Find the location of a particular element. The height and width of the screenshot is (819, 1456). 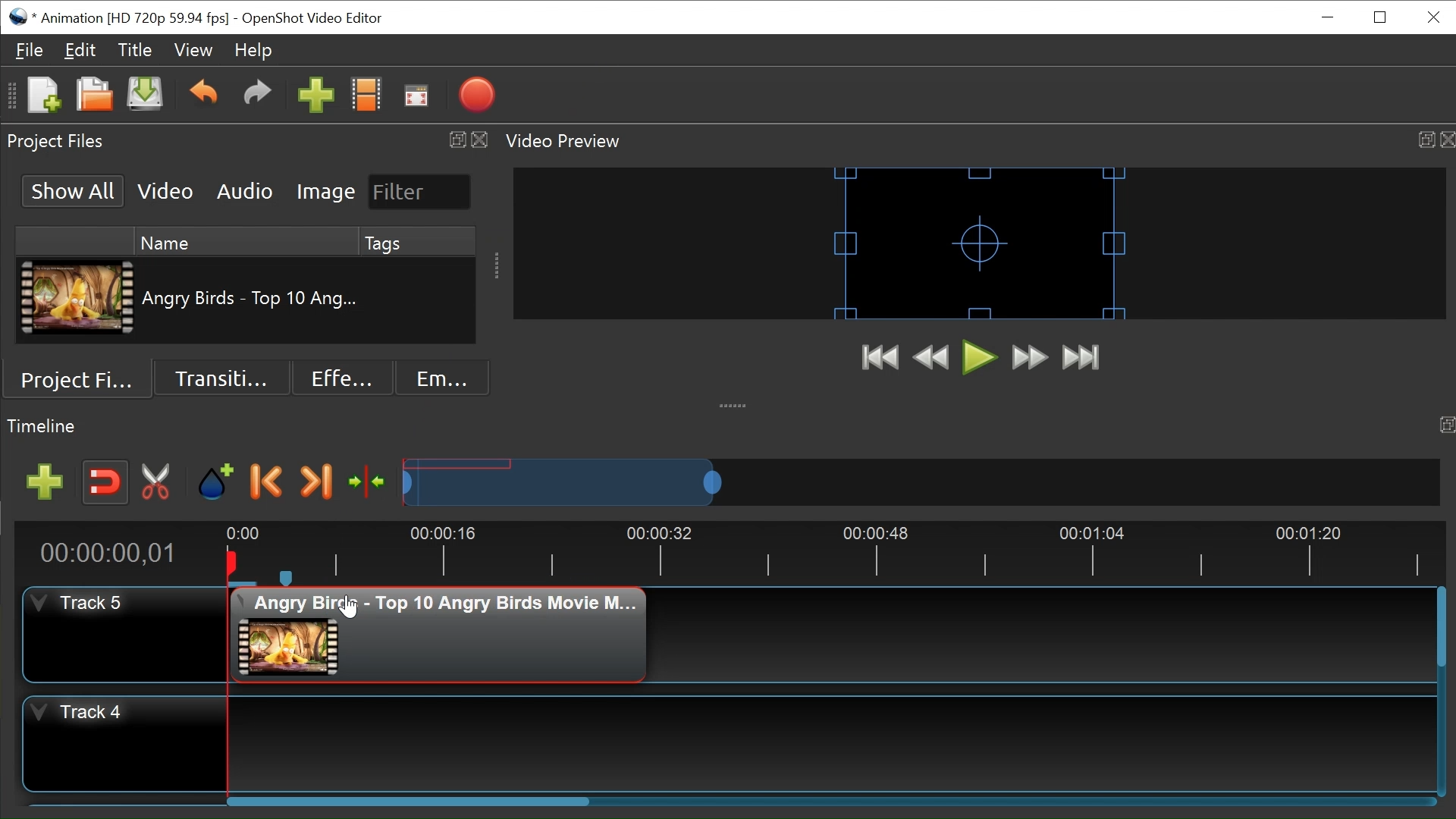

Clip is located at coordinates (449, 634).